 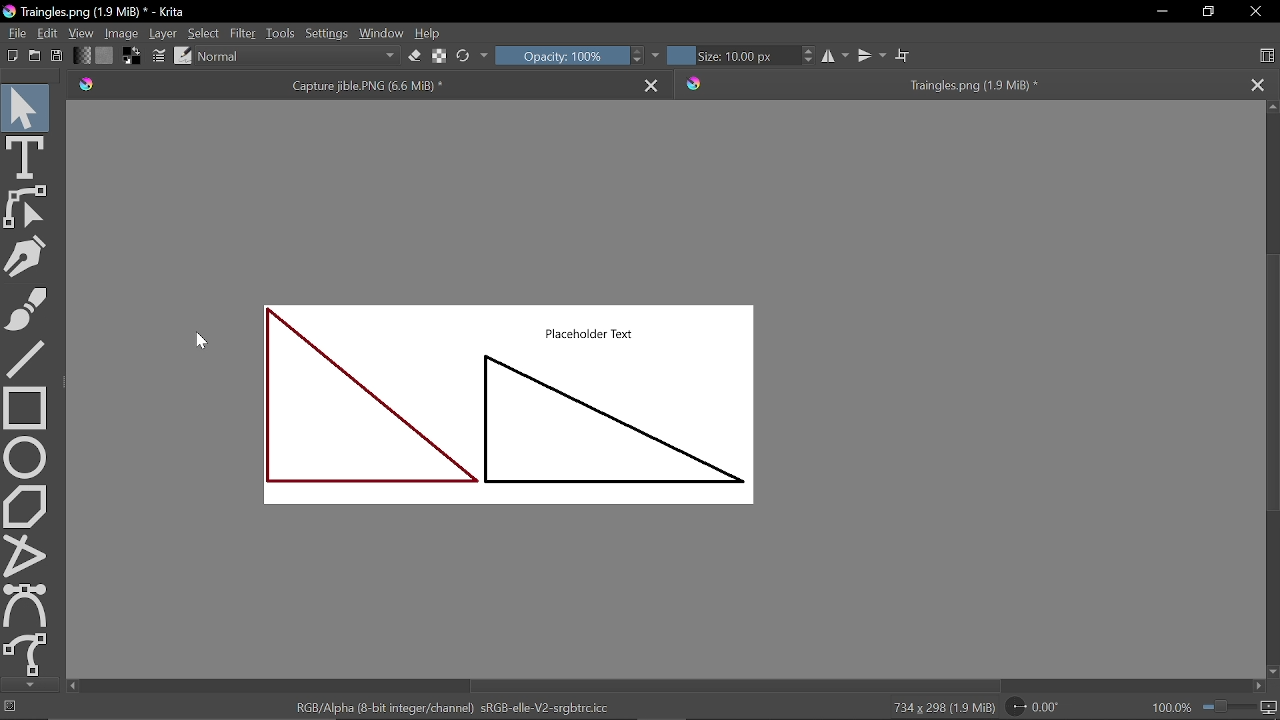 What do you see at coordinates (22, 555) in the screenshot?
I see `Polyline tool` at bounding box center [22, 555].